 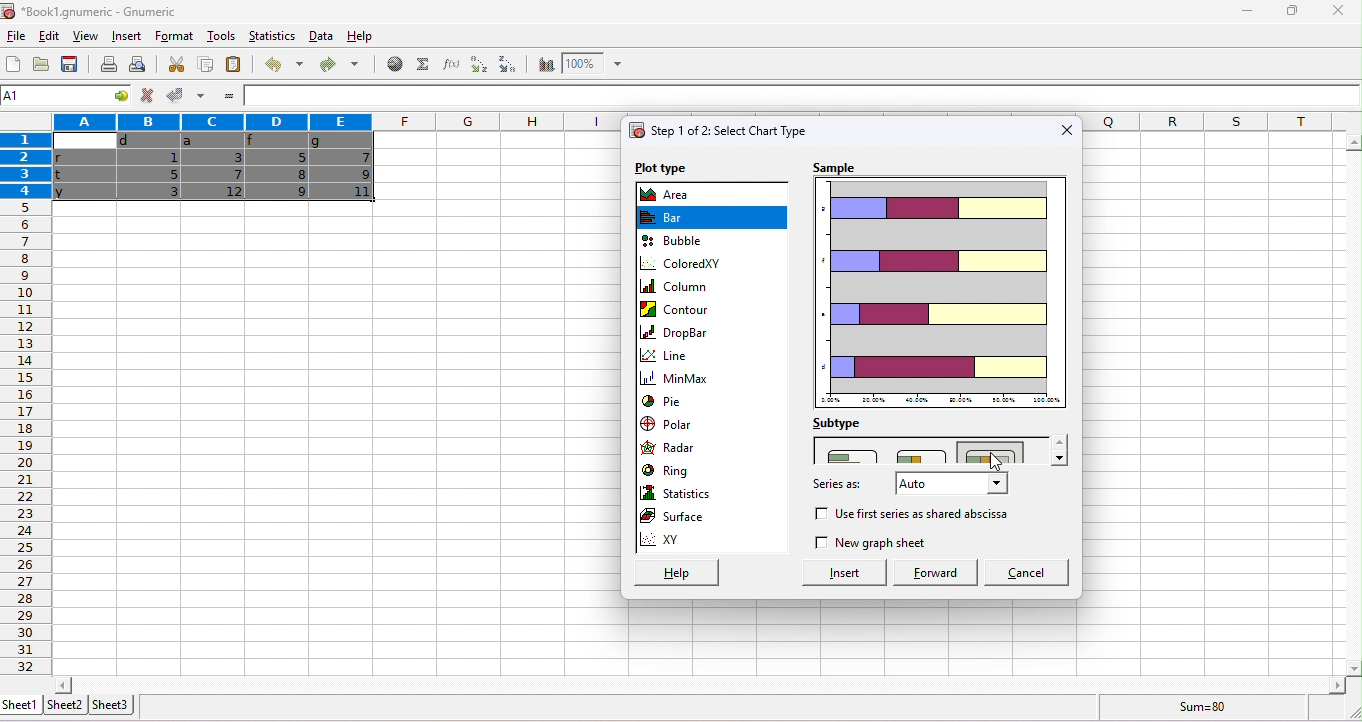 I want to click on contour, so click(x=680, y=310).